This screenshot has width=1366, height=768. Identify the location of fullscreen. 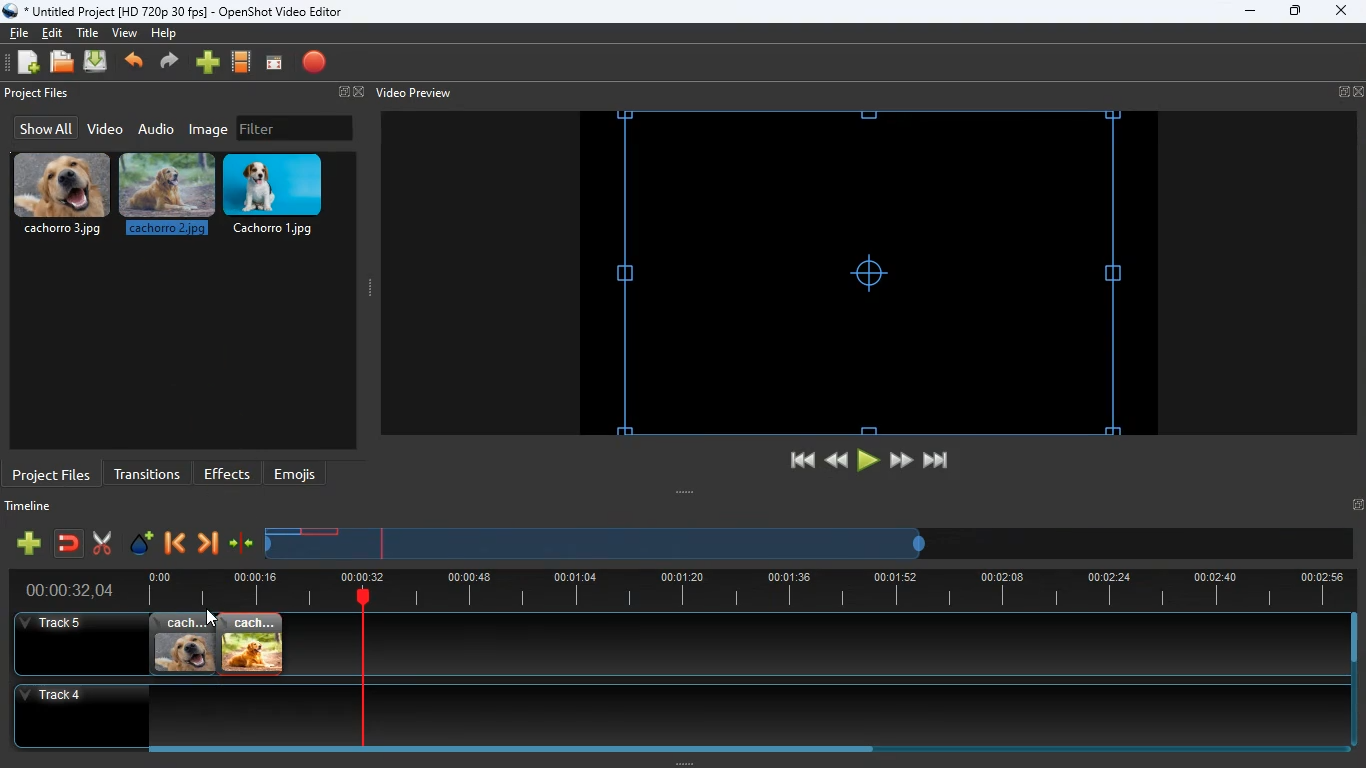
(348, 93).